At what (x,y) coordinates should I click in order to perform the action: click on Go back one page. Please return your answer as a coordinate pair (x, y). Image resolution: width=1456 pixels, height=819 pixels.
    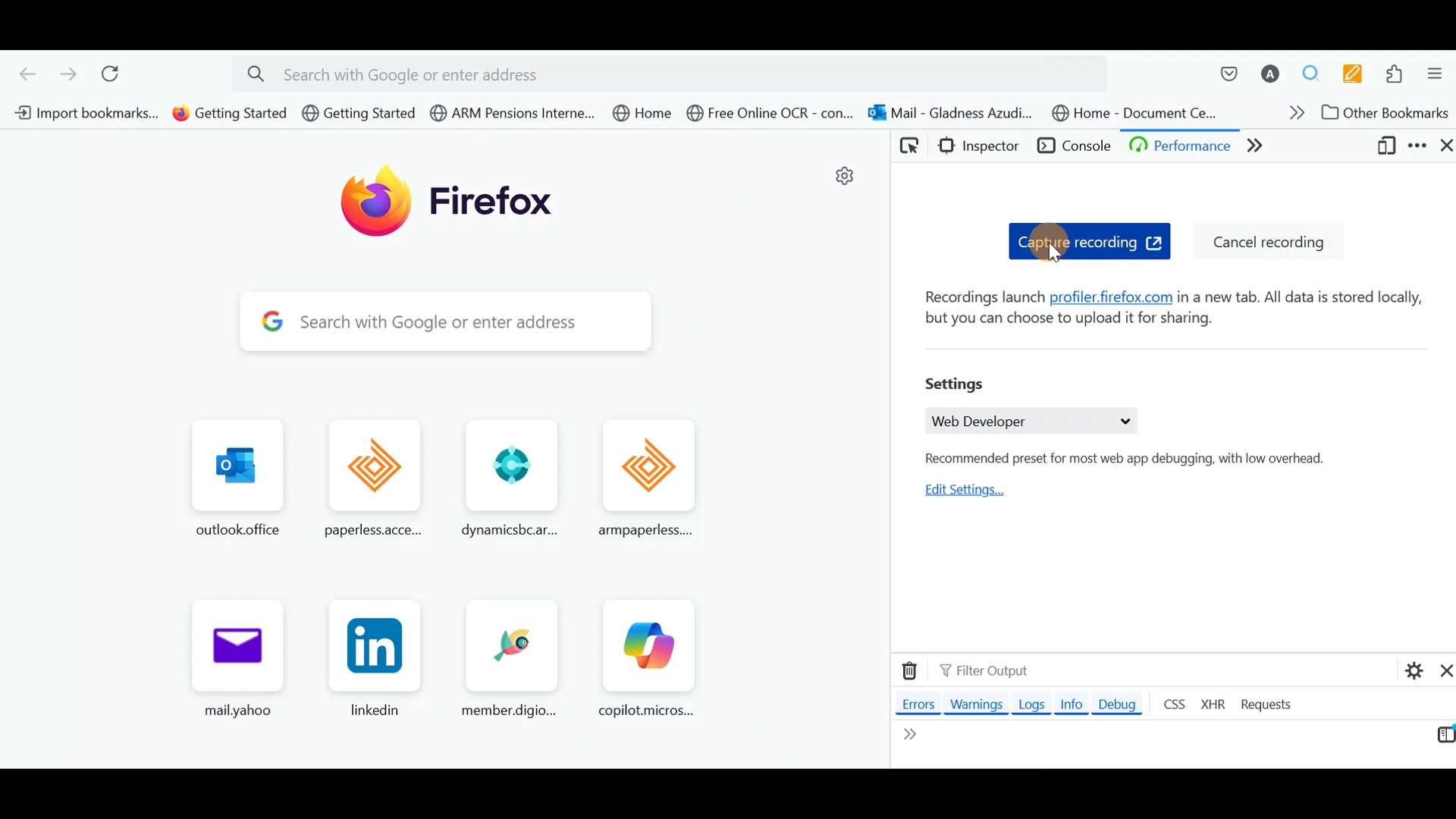
    Looking at the image, I should click on (22, 73).